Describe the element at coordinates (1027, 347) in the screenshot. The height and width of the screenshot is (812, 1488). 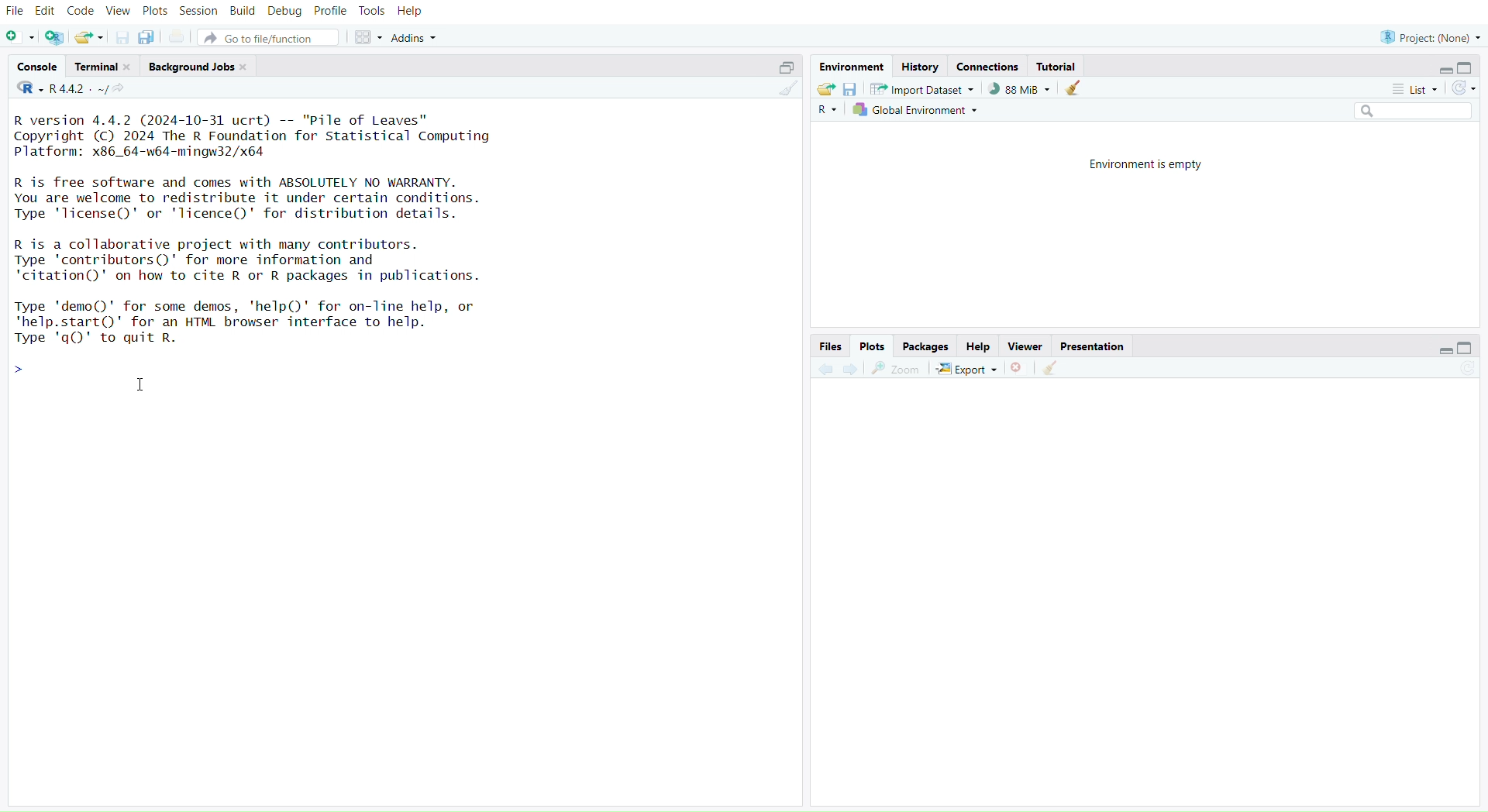
I see `viewer` at that location.